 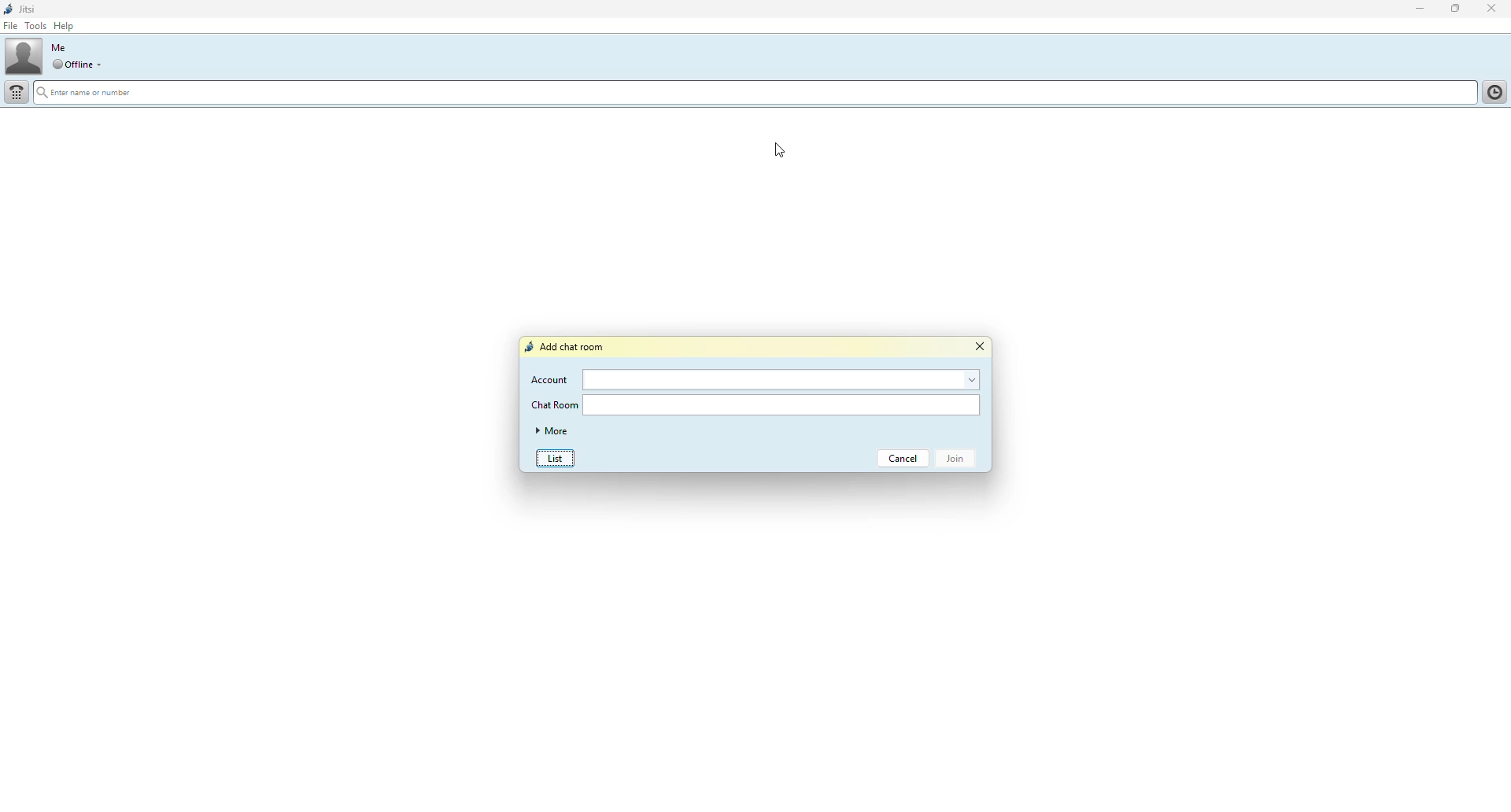 What do you see at coordinates (36, 25) in the screenshot?
I see `tools` at bounding box center [36, 25].